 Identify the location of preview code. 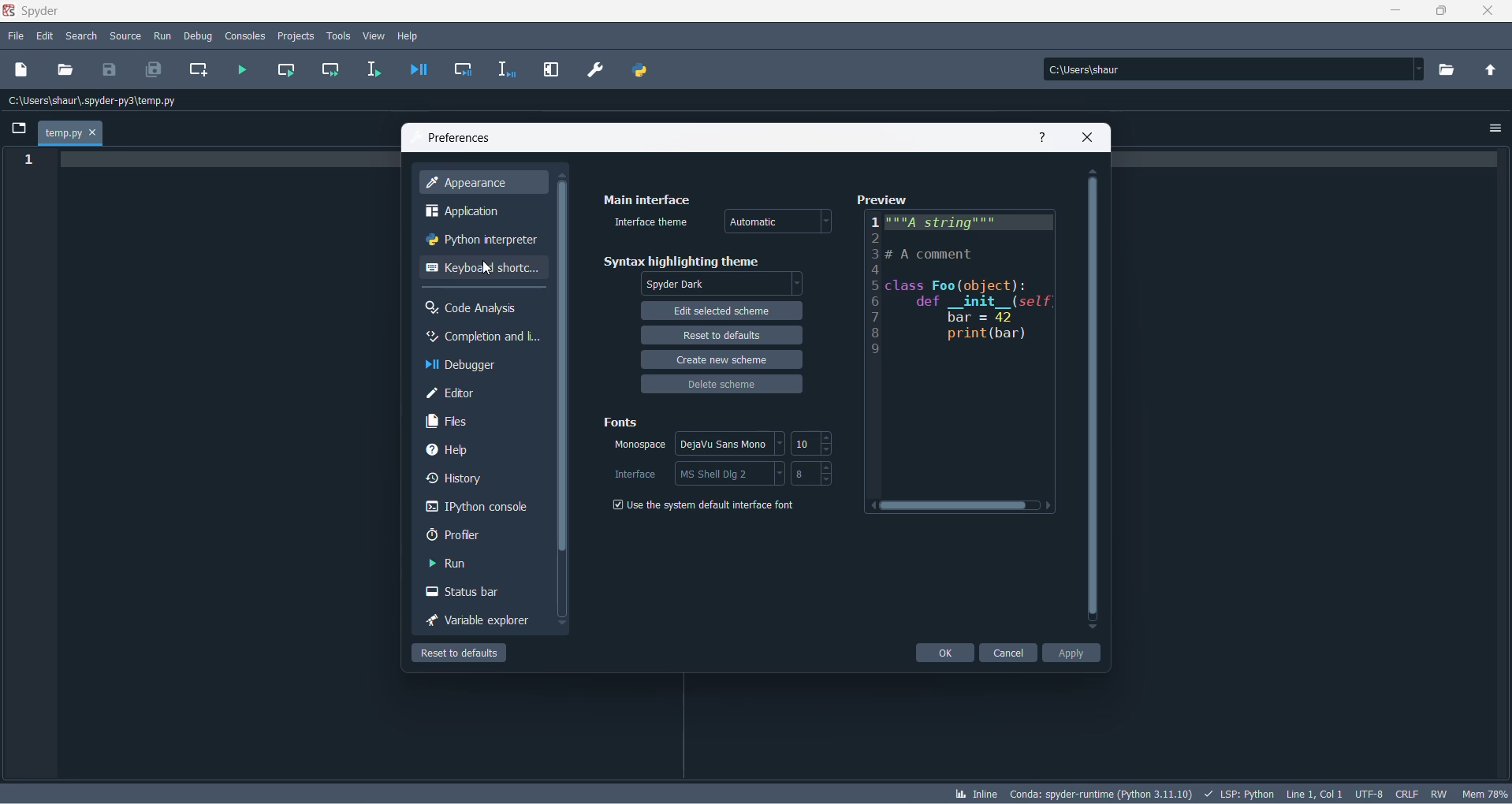
(966, 353).